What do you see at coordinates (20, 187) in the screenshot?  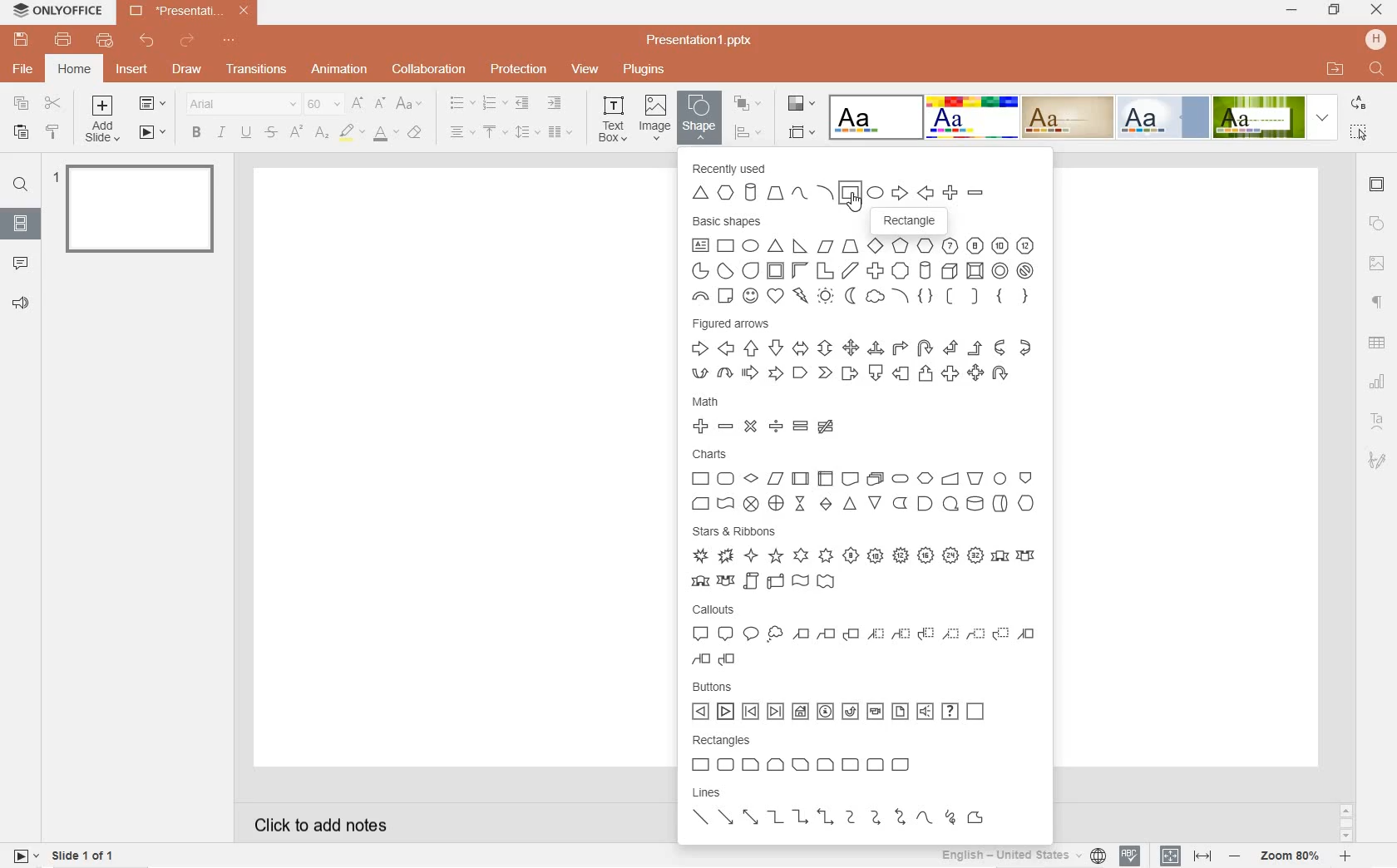 I see `find` at bounding box center [20, 187].